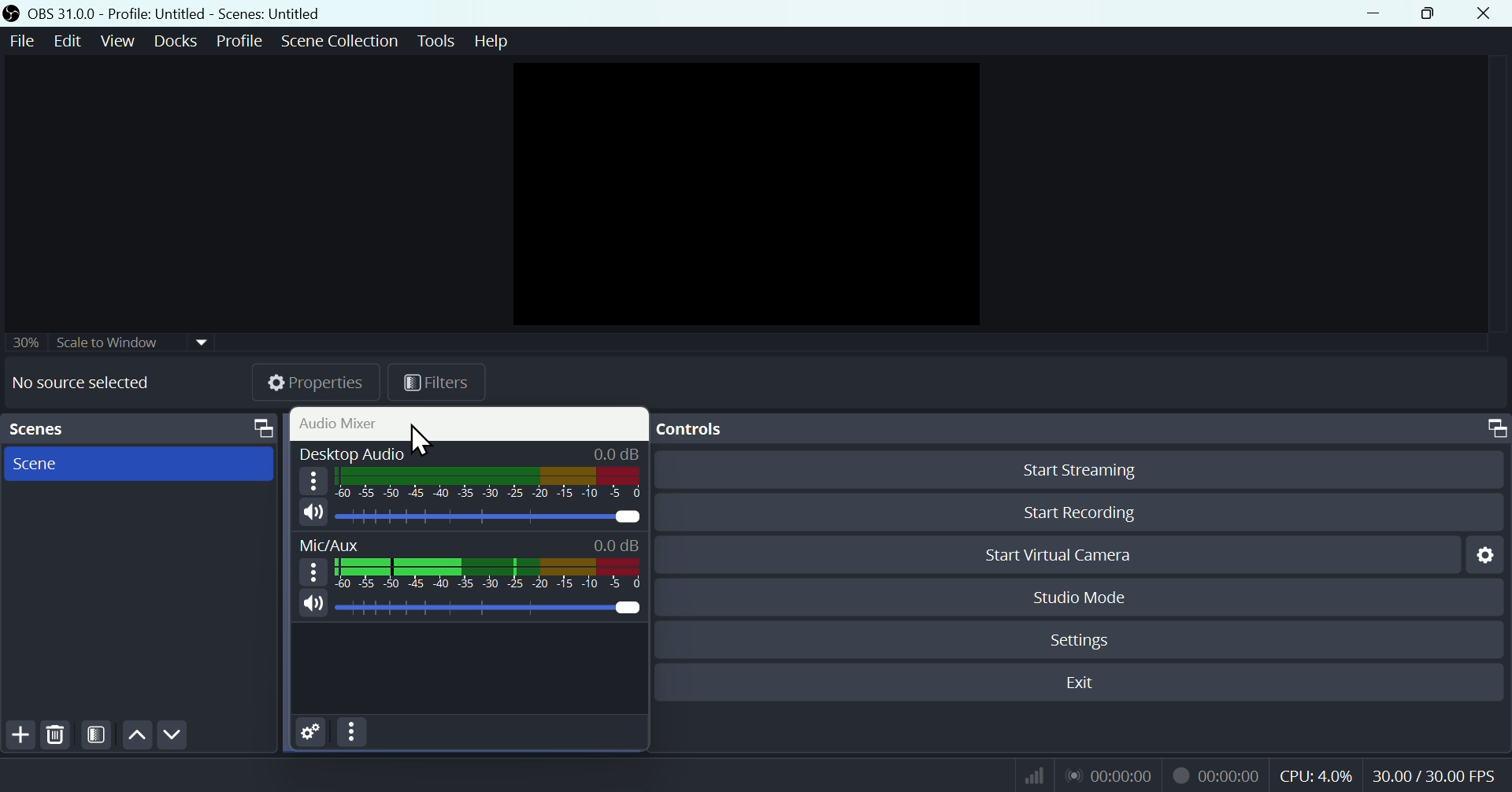 The image size is (1512, 792). I want to click on View, so click(117, 39).